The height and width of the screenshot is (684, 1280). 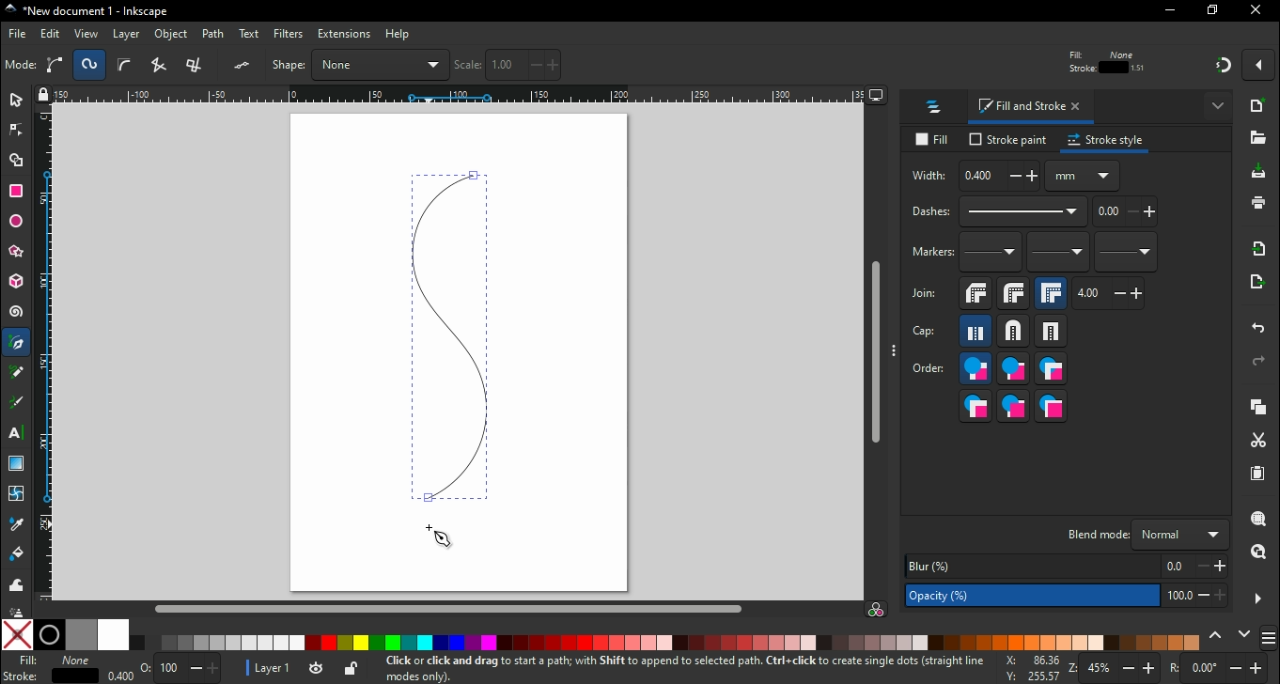 What do you see at coordinates (1259, 176) in the screenshot?
I see `save` at bounding box center [1259, 176].